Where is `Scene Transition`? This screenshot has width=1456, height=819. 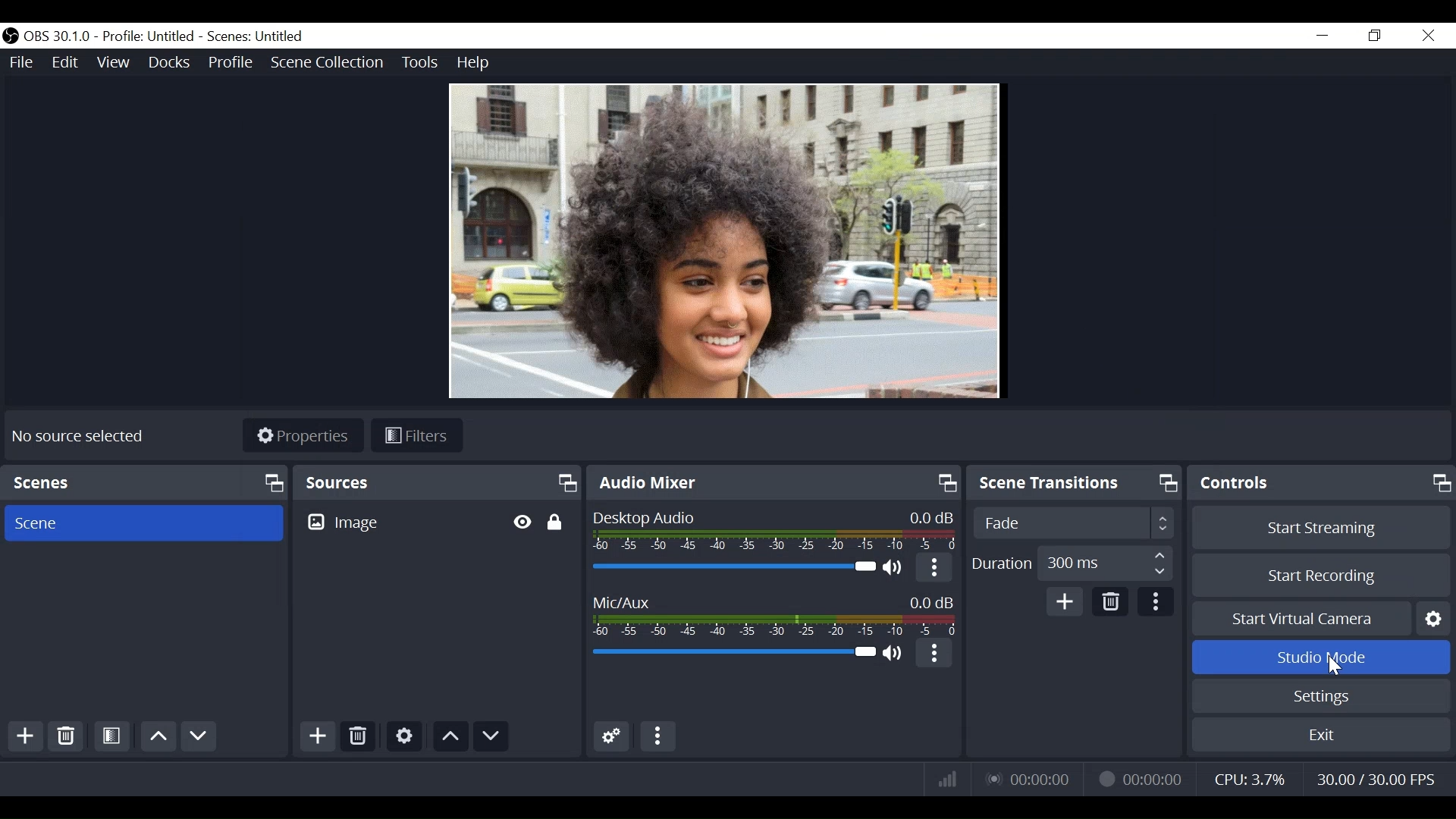 Scene Transition is located at coordinates (1075, 484).